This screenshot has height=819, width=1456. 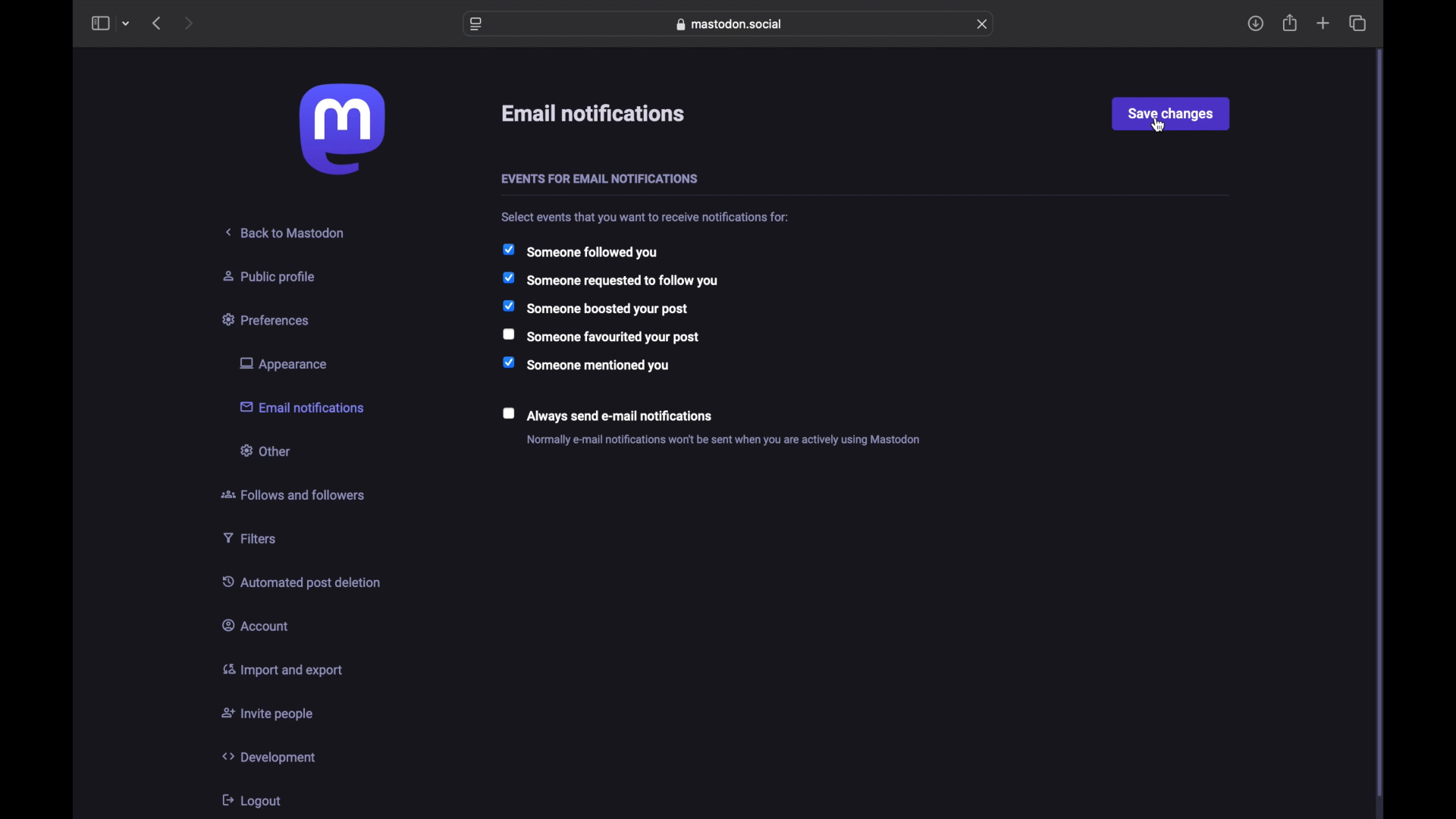 I want to click on checkbox, so click(x=586, y=364).